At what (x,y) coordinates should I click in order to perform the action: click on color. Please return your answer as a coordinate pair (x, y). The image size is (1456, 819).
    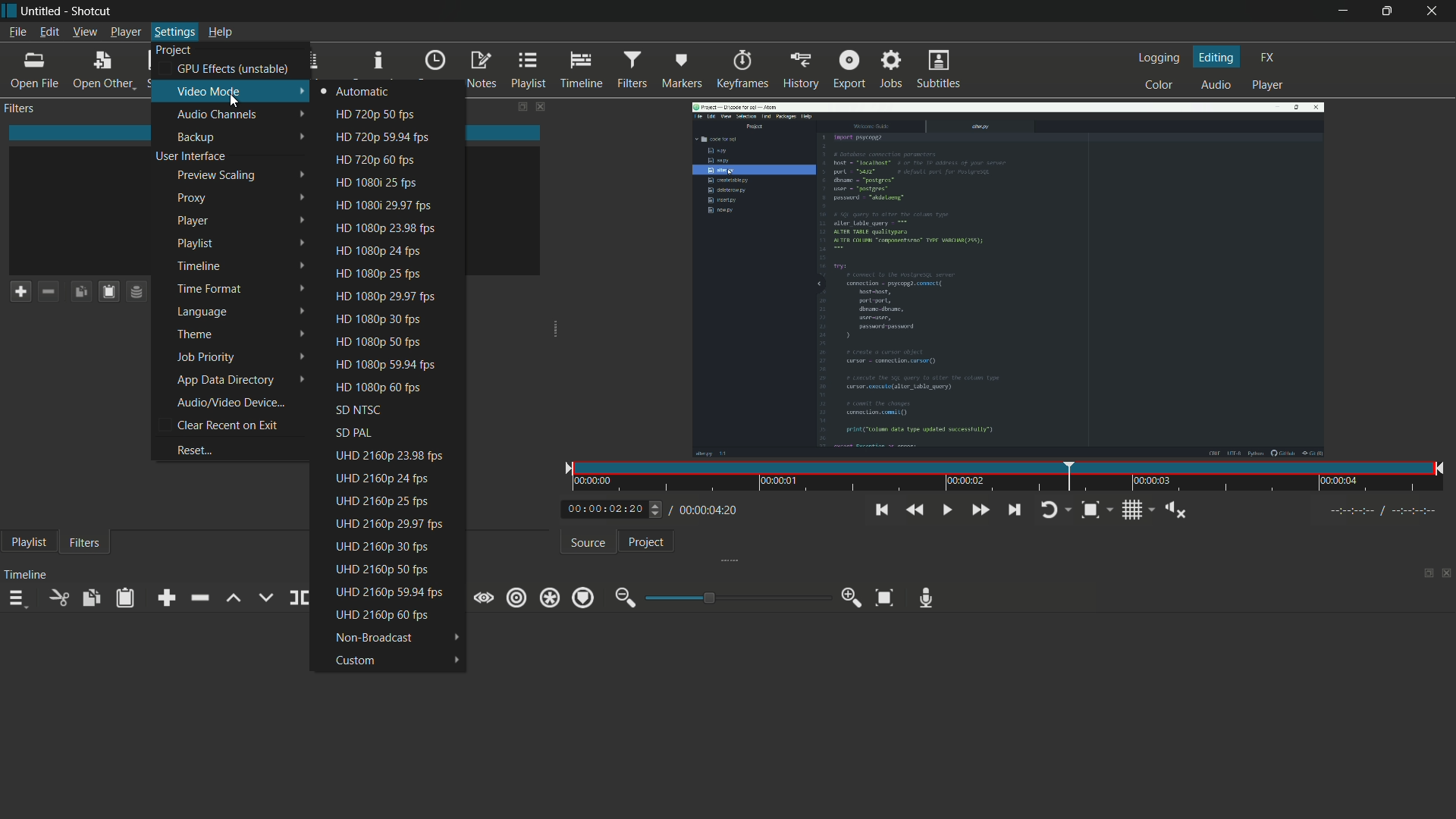
    Looking at the image, I should click on (1159, 86).